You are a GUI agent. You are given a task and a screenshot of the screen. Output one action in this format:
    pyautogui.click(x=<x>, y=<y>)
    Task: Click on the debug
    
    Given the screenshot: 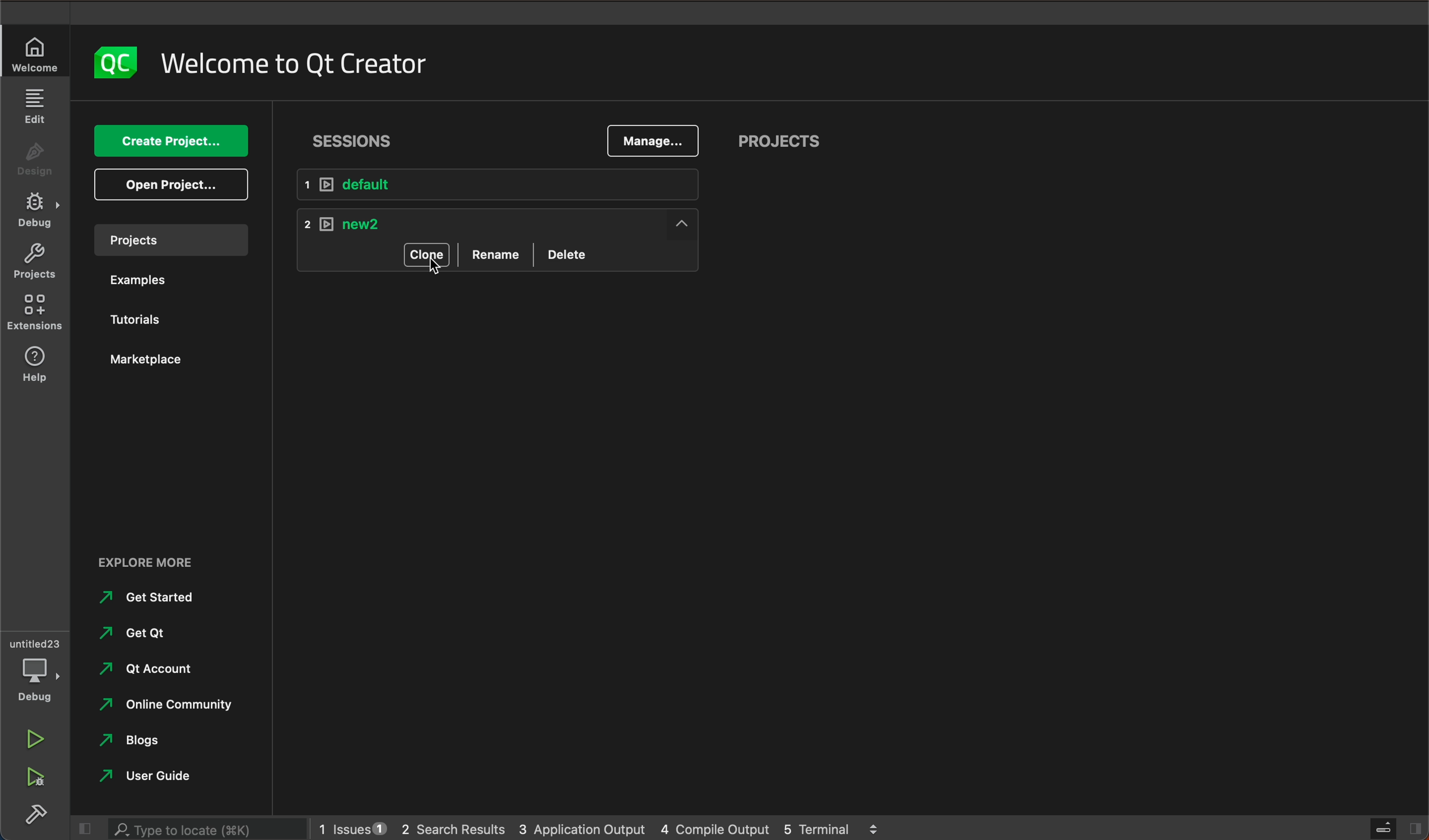 What is the action you would take?
    pyautogui.click(x=38, y=211)
    